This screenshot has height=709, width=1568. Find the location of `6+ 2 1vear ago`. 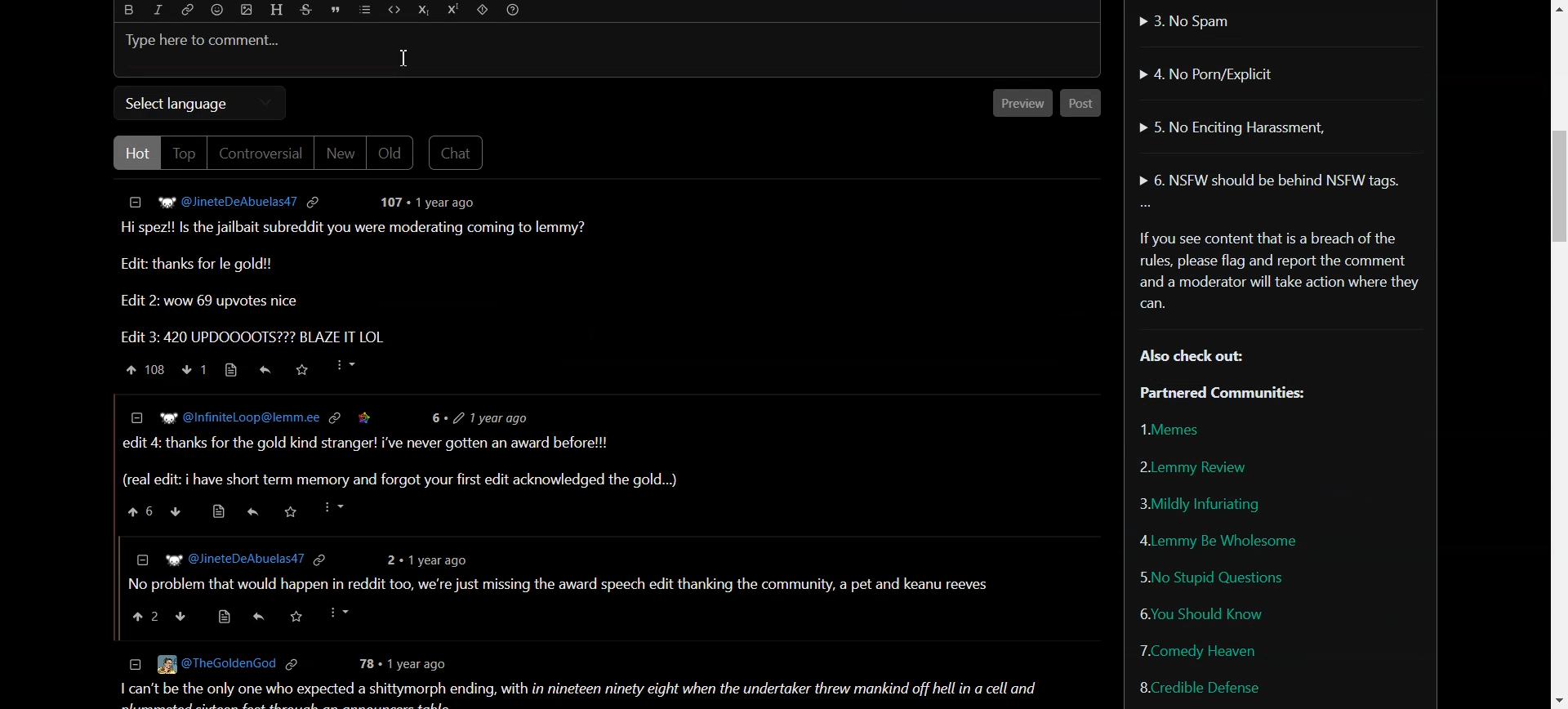

6+ 2 1vear ago is located at coordinates (493, 417).